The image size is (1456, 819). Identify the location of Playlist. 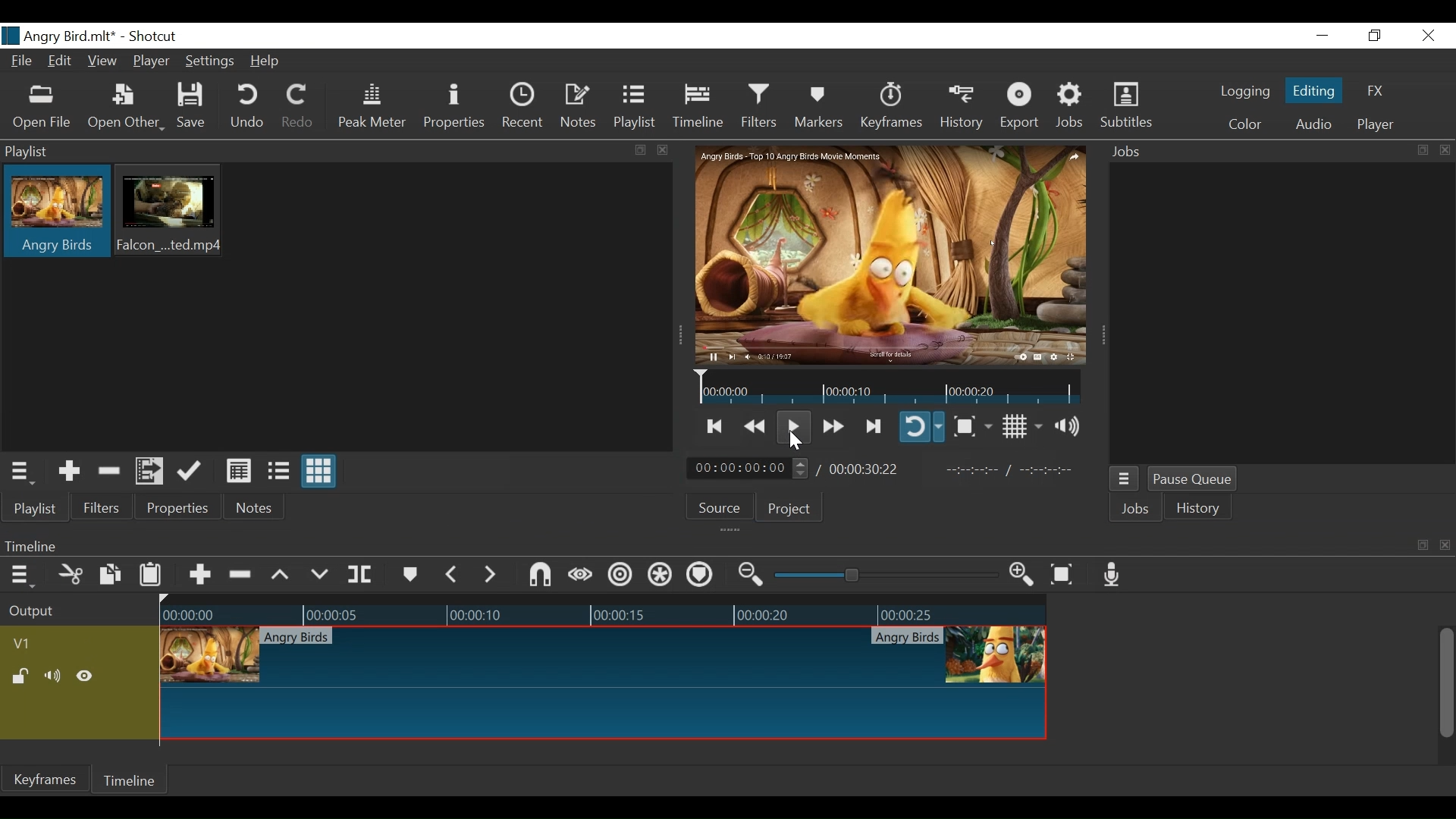
(638, 108).